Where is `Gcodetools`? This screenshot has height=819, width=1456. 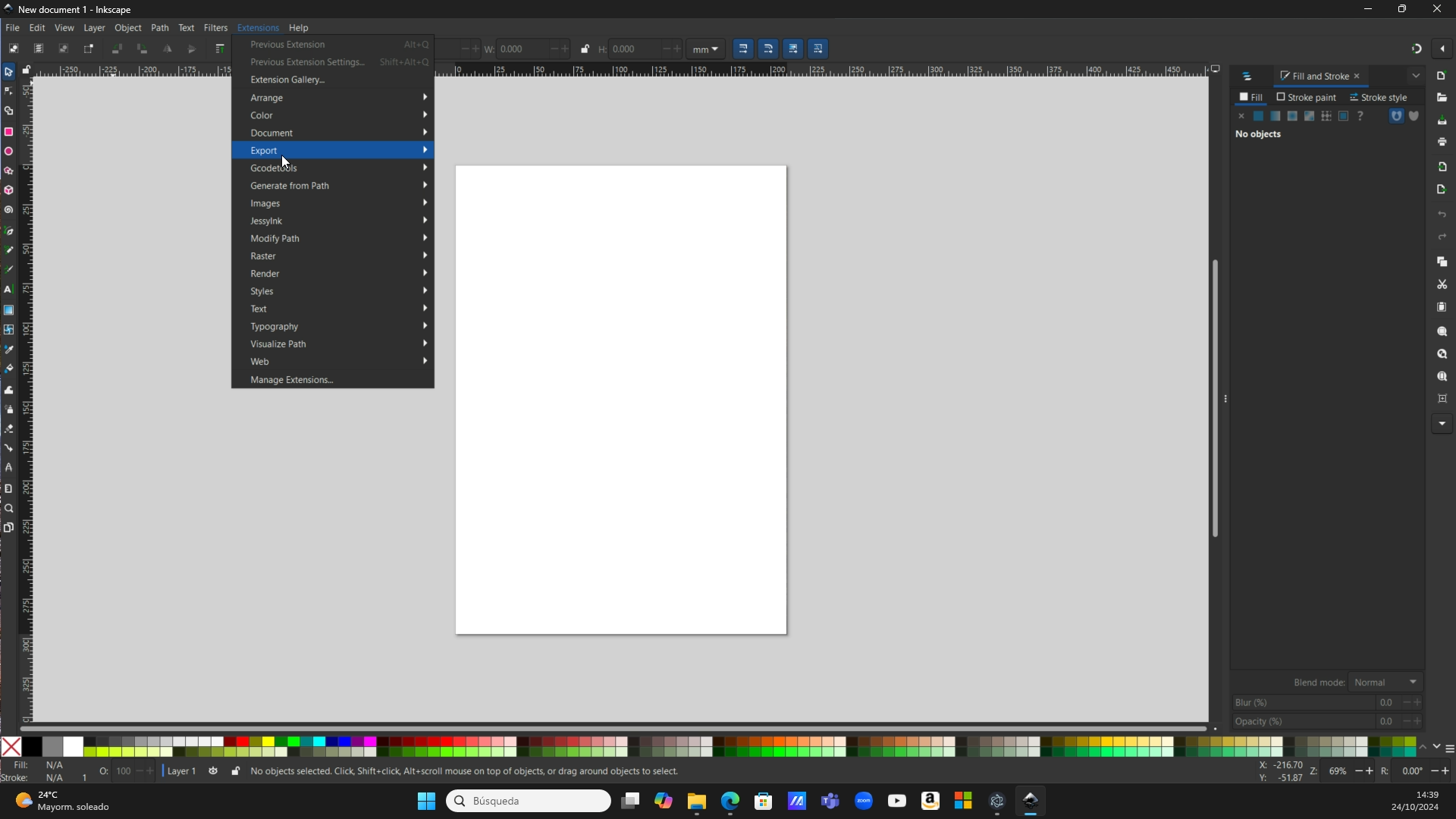 Gcodetools is located at coordinates (338, 167).